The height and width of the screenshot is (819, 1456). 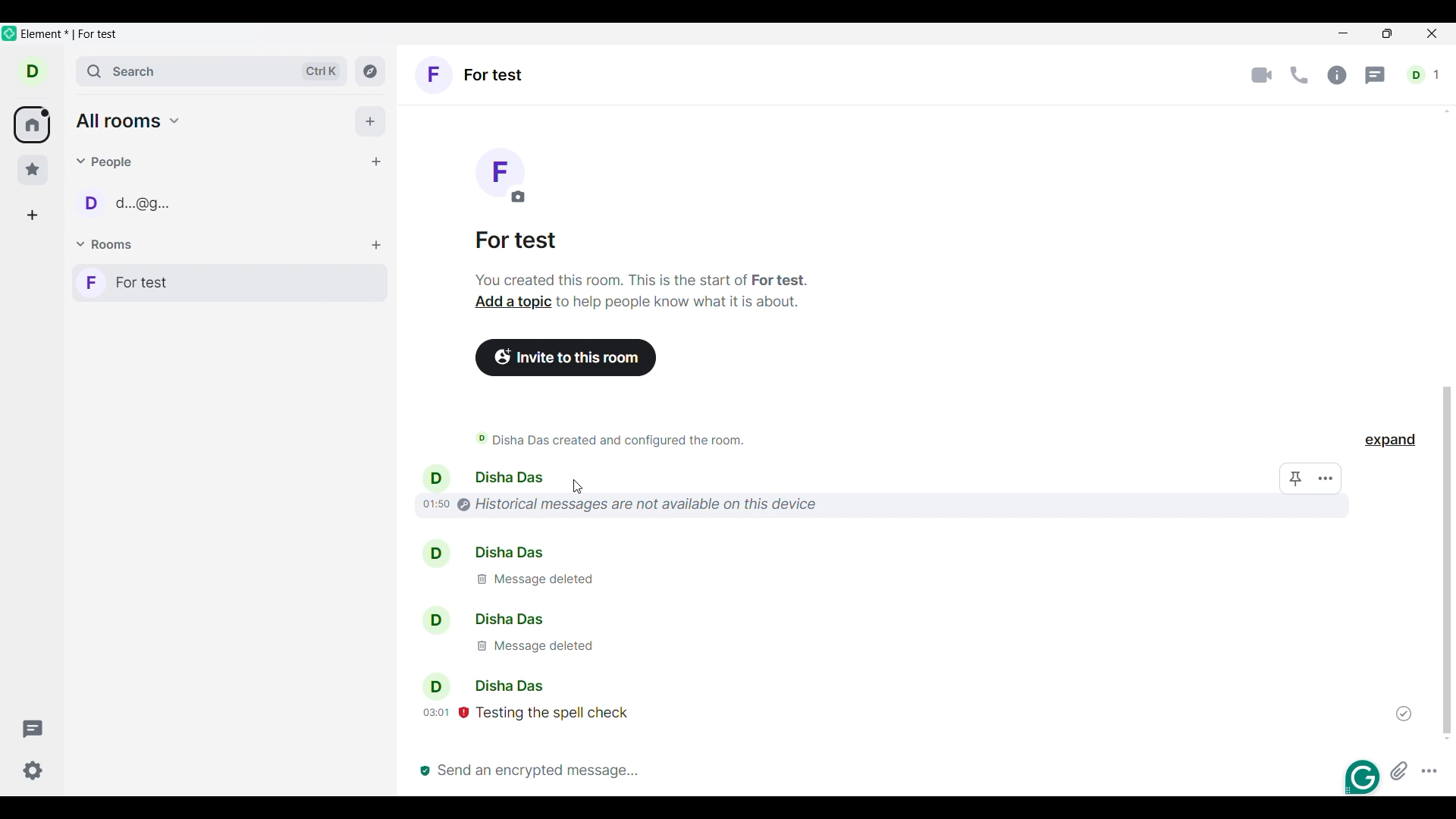 I want to click on Software and room name, so click(x=73, y=35).